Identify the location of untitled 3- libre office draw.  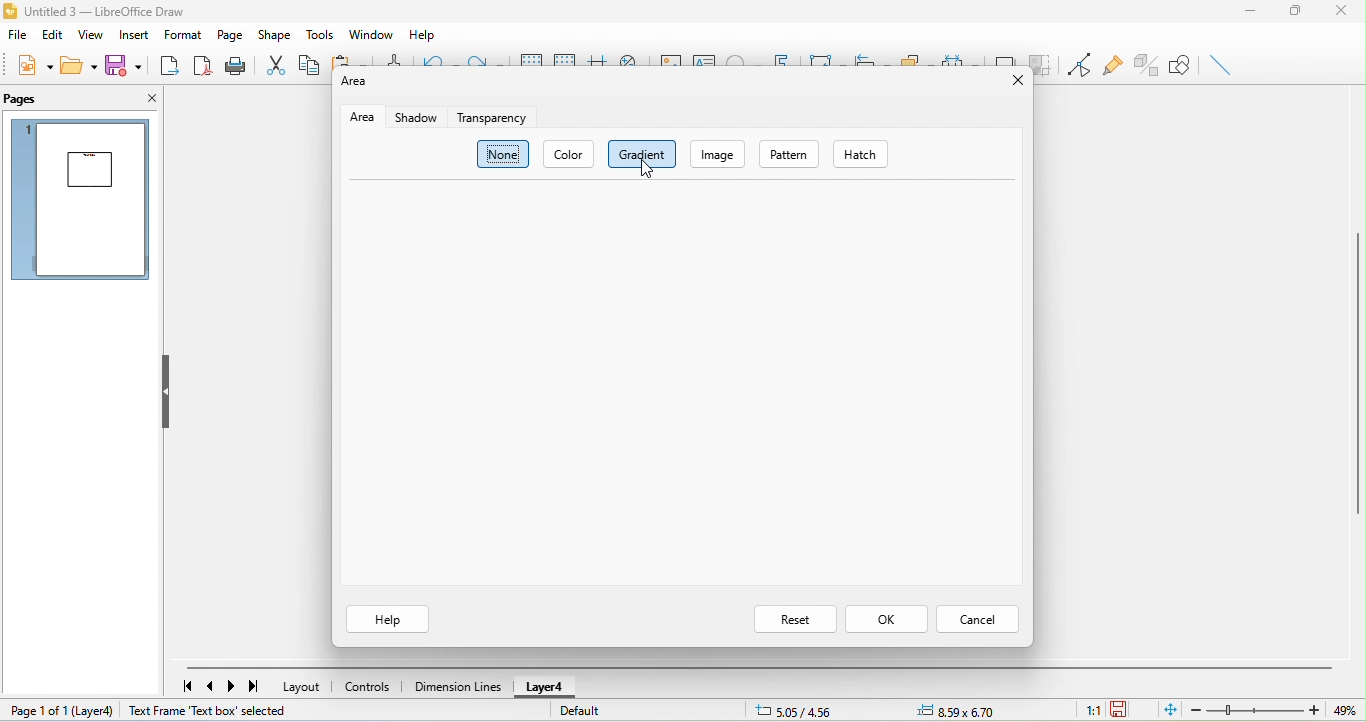
(111, 10).